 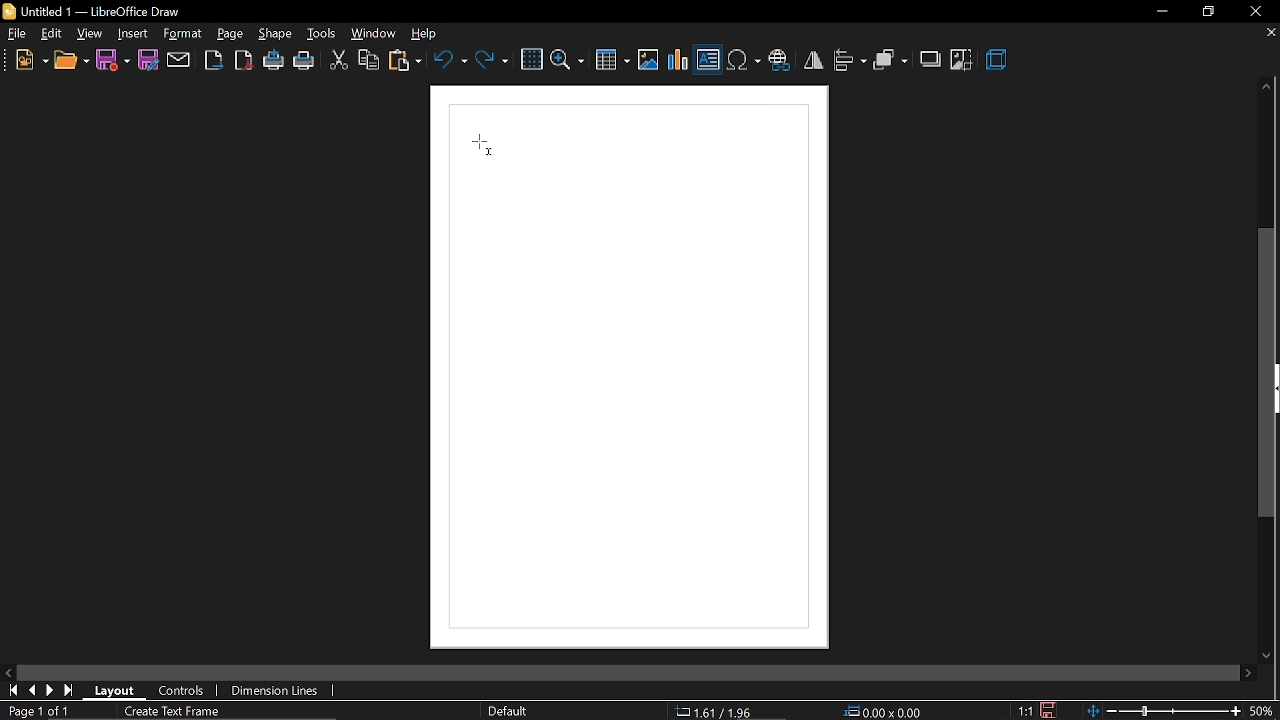 What do you see at coordinates (1255, 12) in the screenshot?
I see `close` at bounding box center [1255, 12].